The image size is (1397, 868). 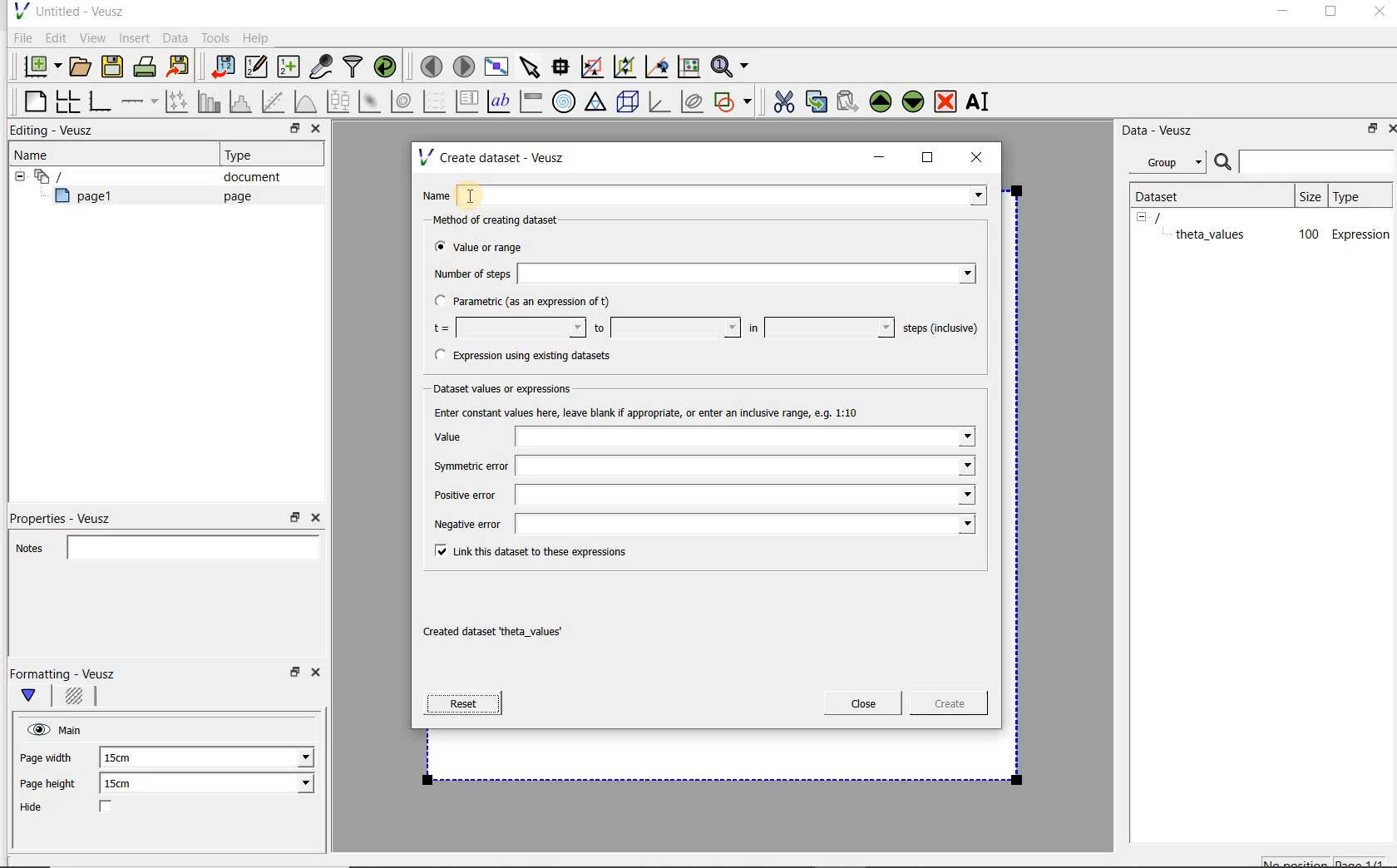 I want to click on blank page, so click(x=32, y=99).